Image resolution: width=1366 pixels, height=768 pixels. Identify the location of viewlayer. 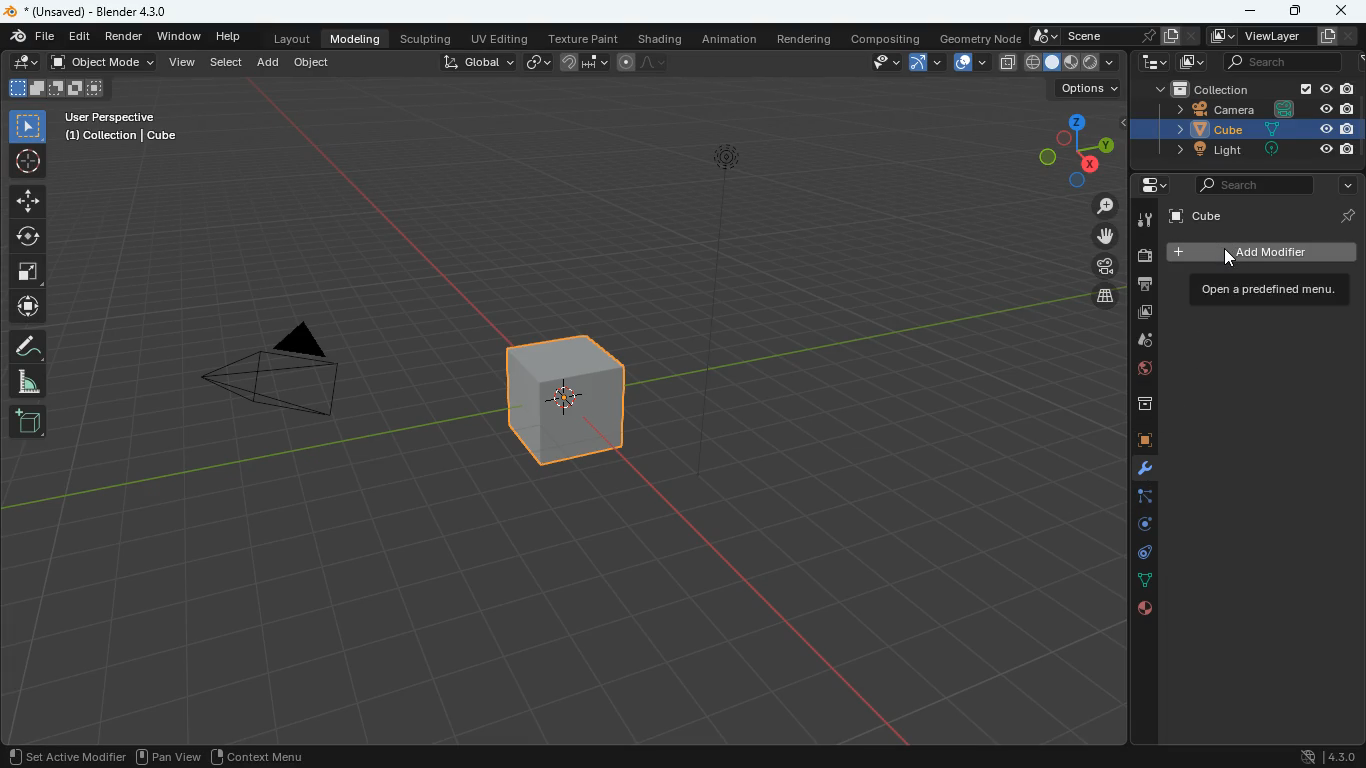
(1255, 38).